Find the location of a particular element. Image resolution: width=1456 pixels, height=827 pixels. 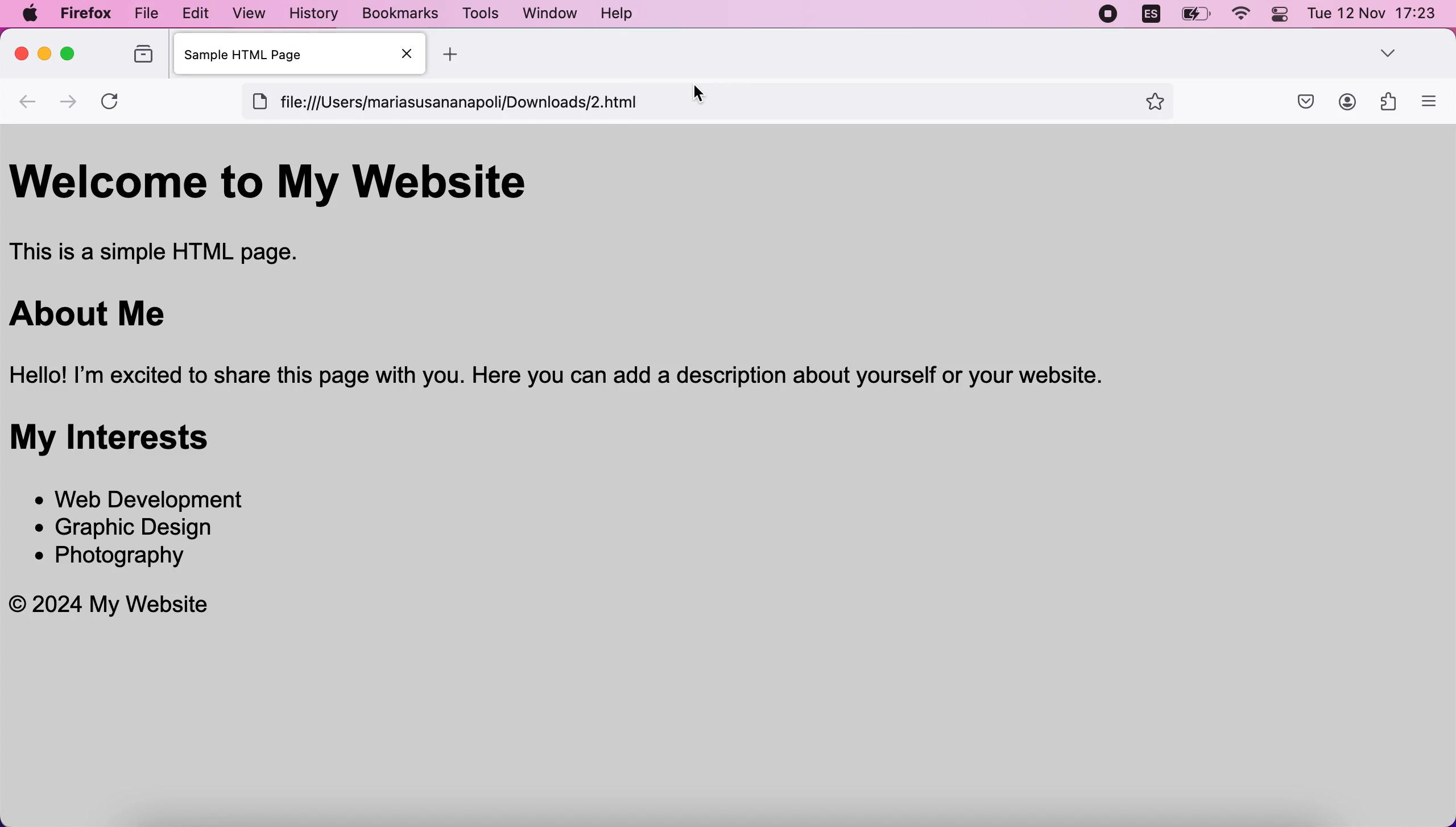

view recent browsing is located at coordinates (144, 57).